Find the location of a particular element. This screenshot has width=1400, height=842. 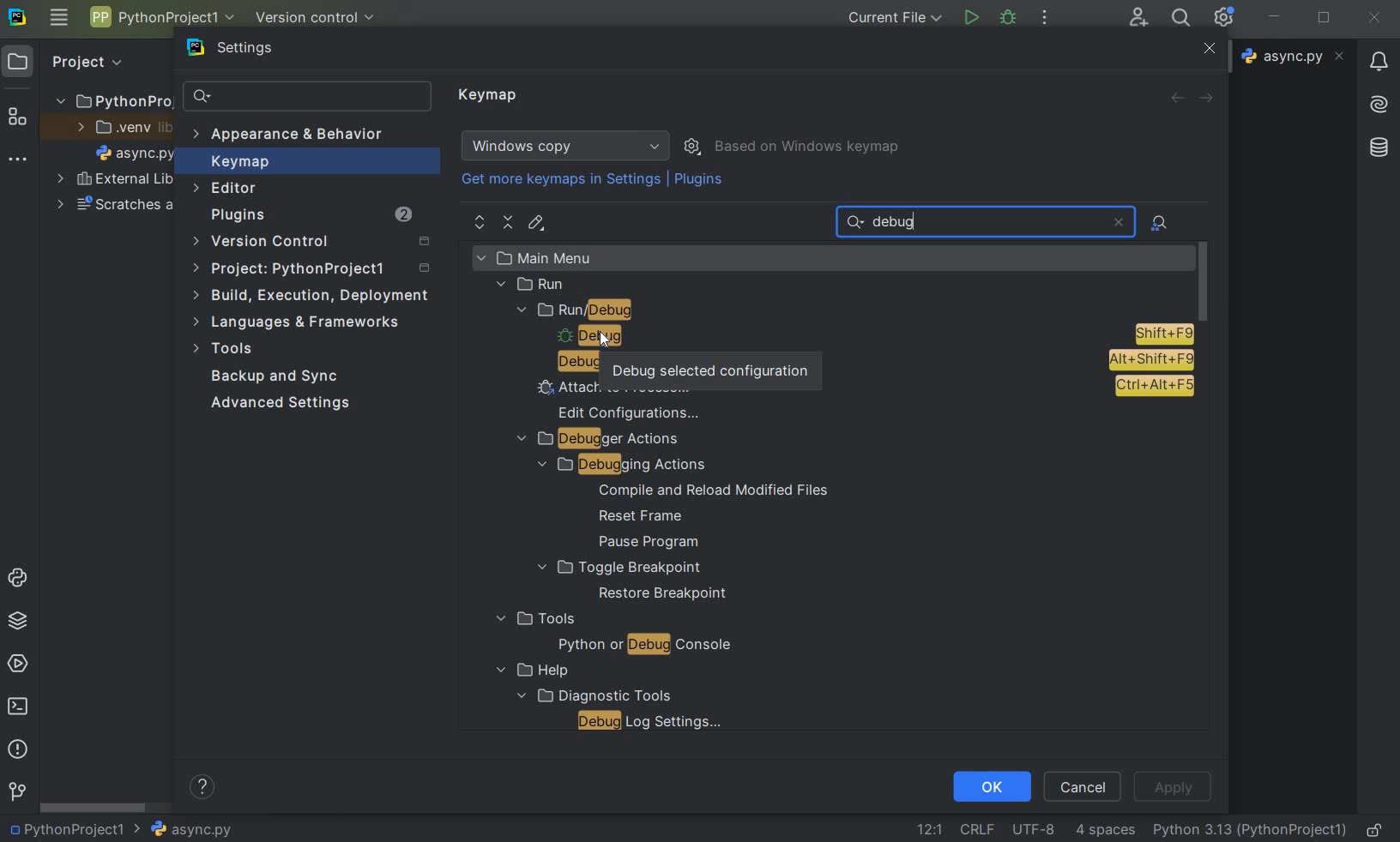

close is located at coordinates (1207, 50).